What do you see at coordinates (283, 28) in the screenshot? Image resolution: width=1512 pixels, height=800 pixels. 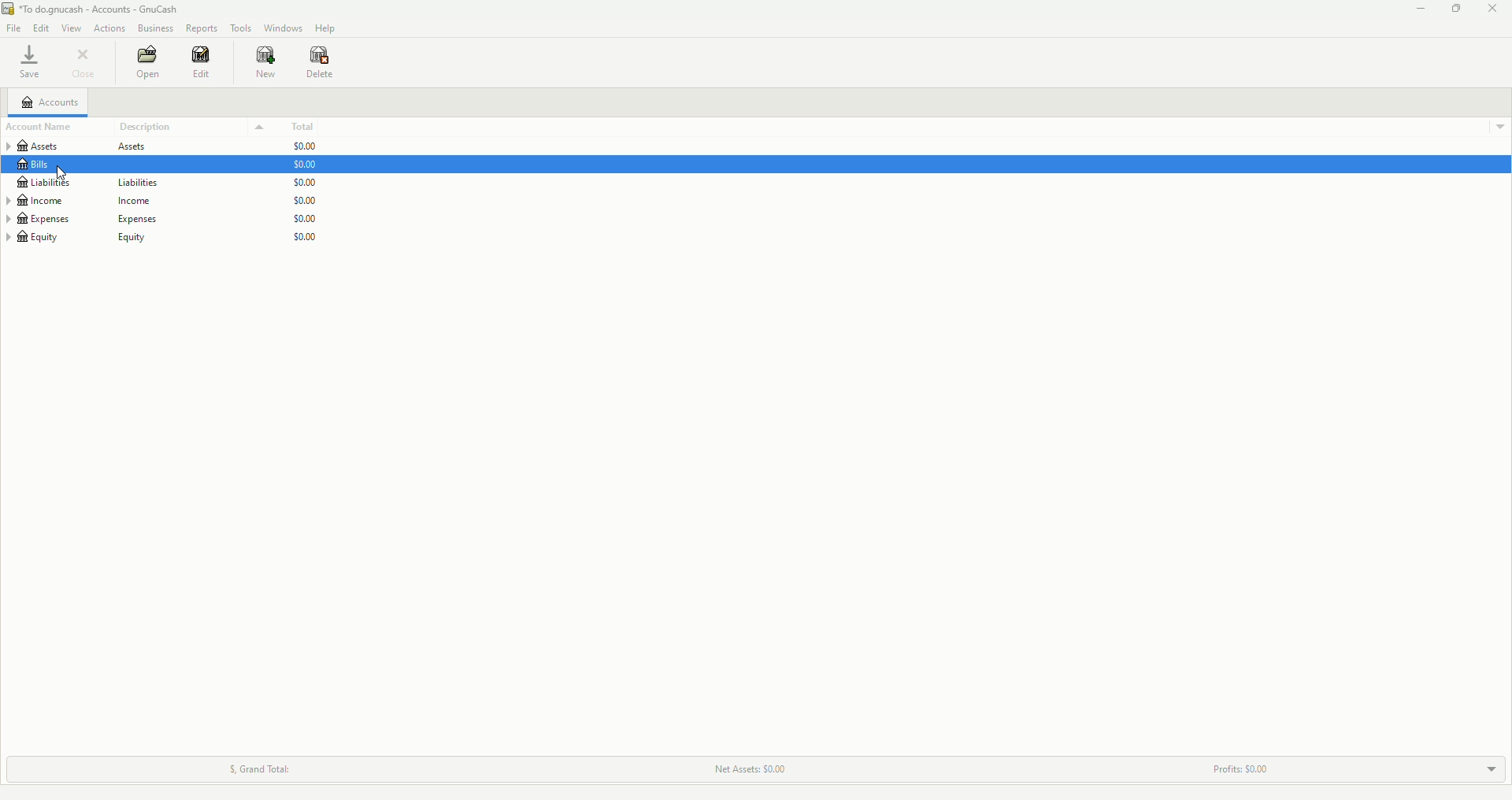 I see `Windows` at bounding box center [283, 28].